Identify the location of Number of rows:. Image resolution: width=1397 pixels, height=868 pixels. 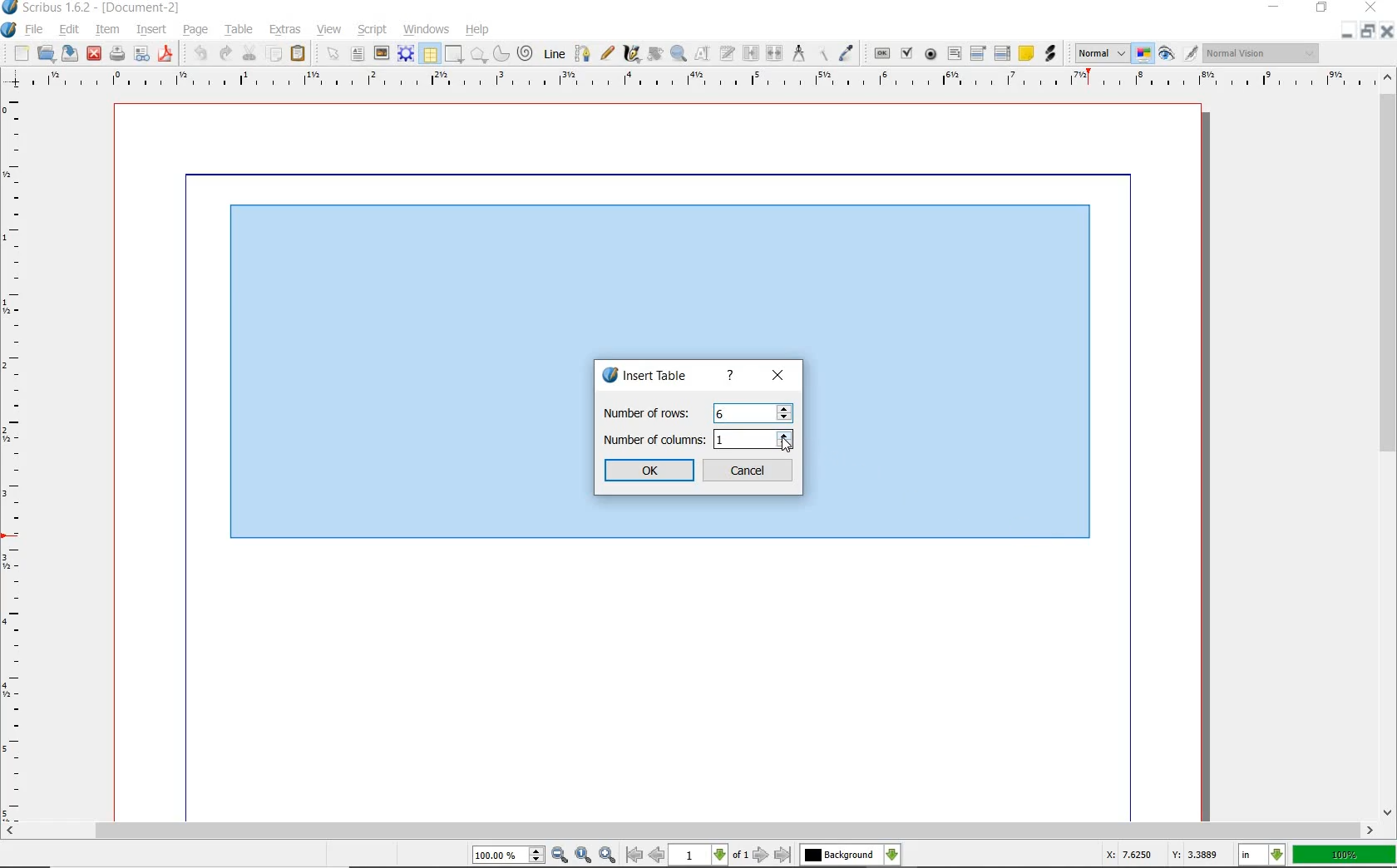
(654, 412).